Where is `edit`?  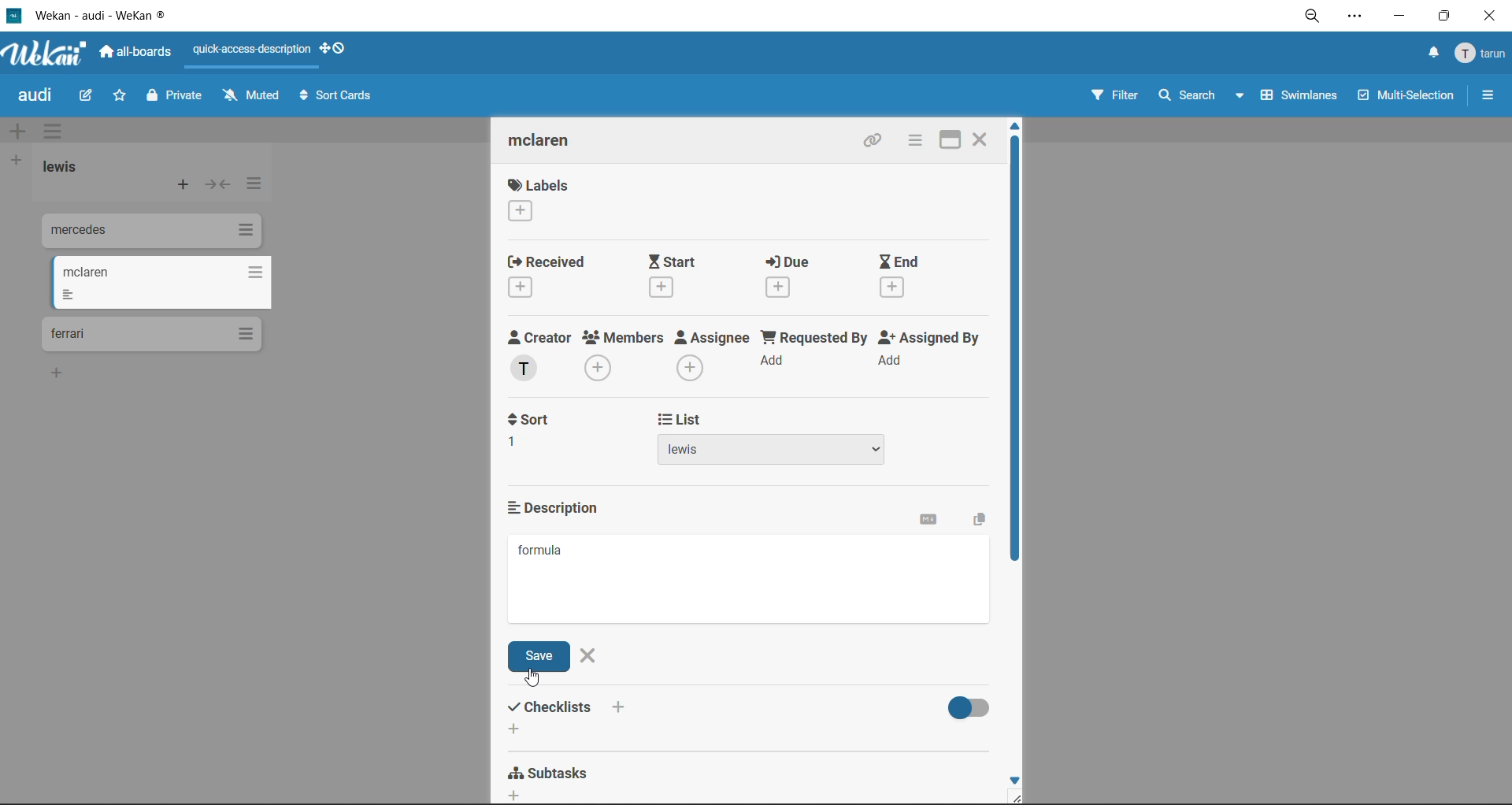 edit is located at coordinates (86, 97).